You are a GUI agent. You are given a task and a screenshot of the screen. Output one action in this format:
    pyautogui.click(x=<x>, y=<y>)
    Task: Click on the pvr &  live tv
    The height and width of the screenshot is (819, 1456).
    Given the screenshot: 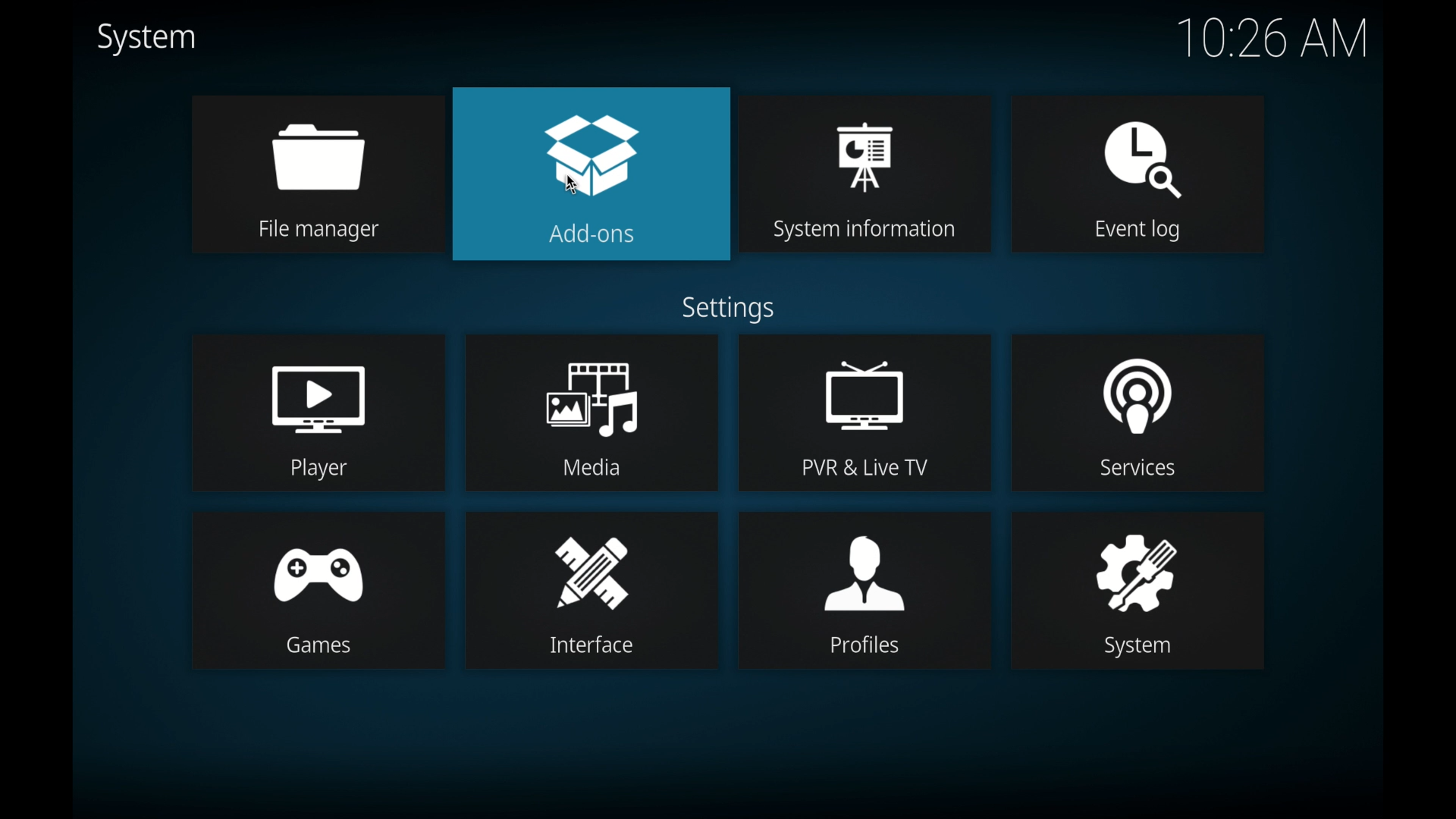 What is the action you would take?
    pyautogui.click(x=865, y=413)
    